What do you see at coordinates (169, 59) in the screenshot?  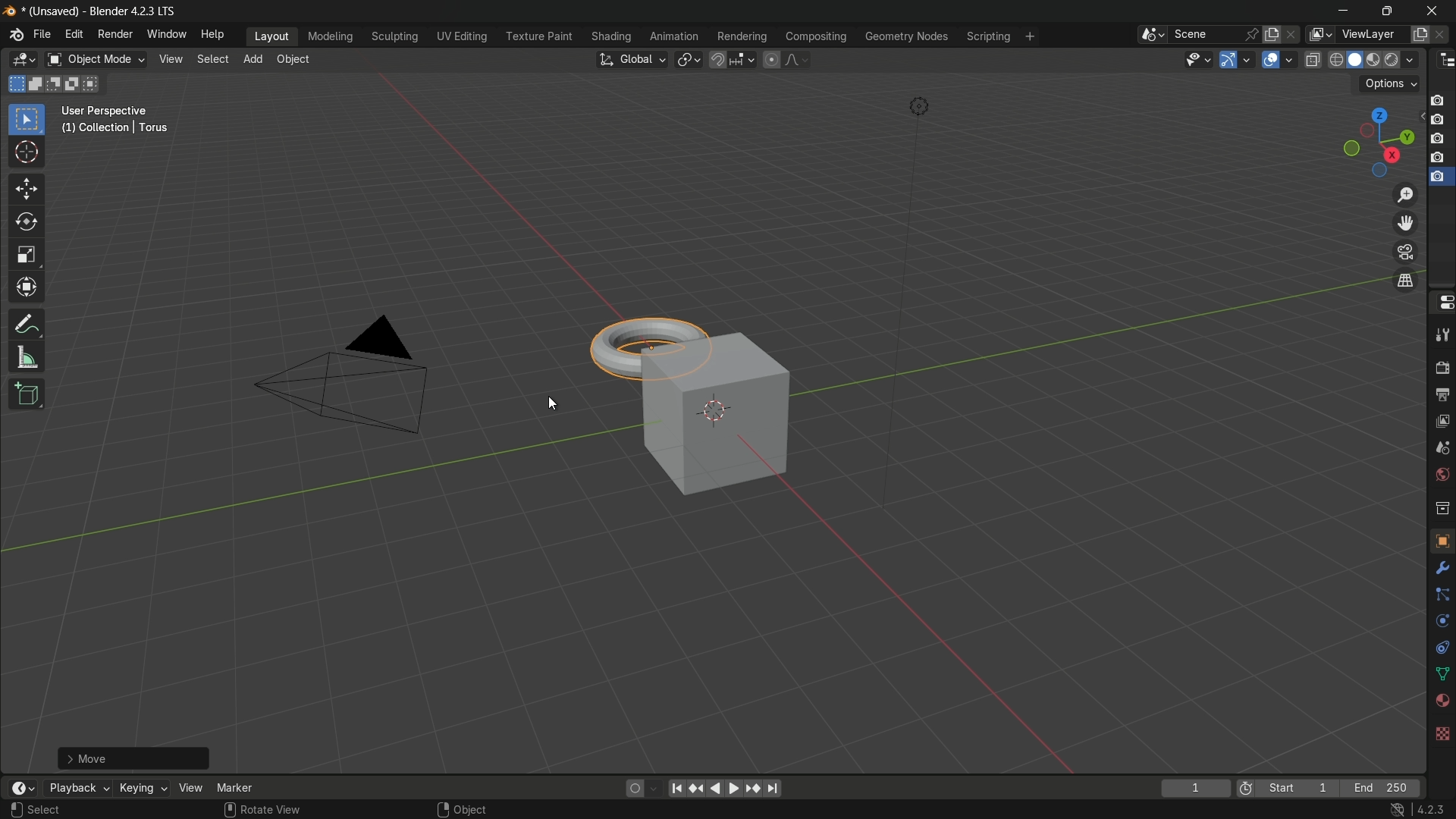 I see `view` at bounding box center [169, 59].